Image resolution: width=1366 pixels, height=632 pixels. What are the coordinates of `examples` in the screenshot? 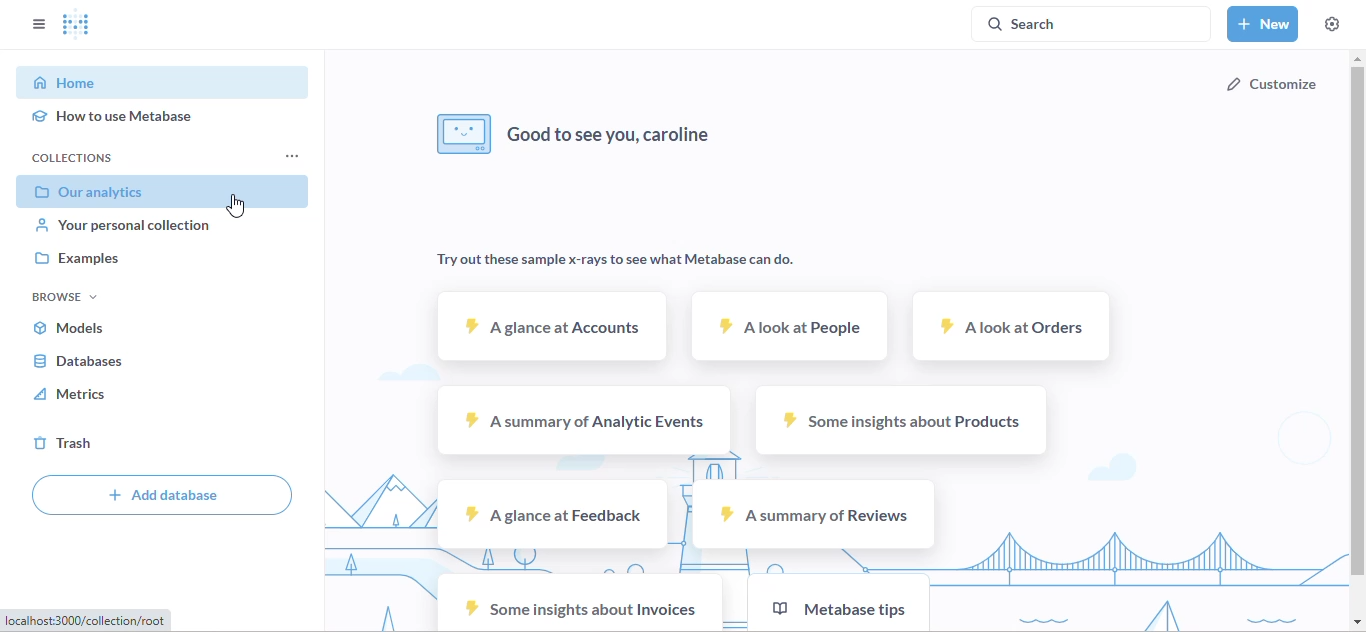 It's located at (75, 258).